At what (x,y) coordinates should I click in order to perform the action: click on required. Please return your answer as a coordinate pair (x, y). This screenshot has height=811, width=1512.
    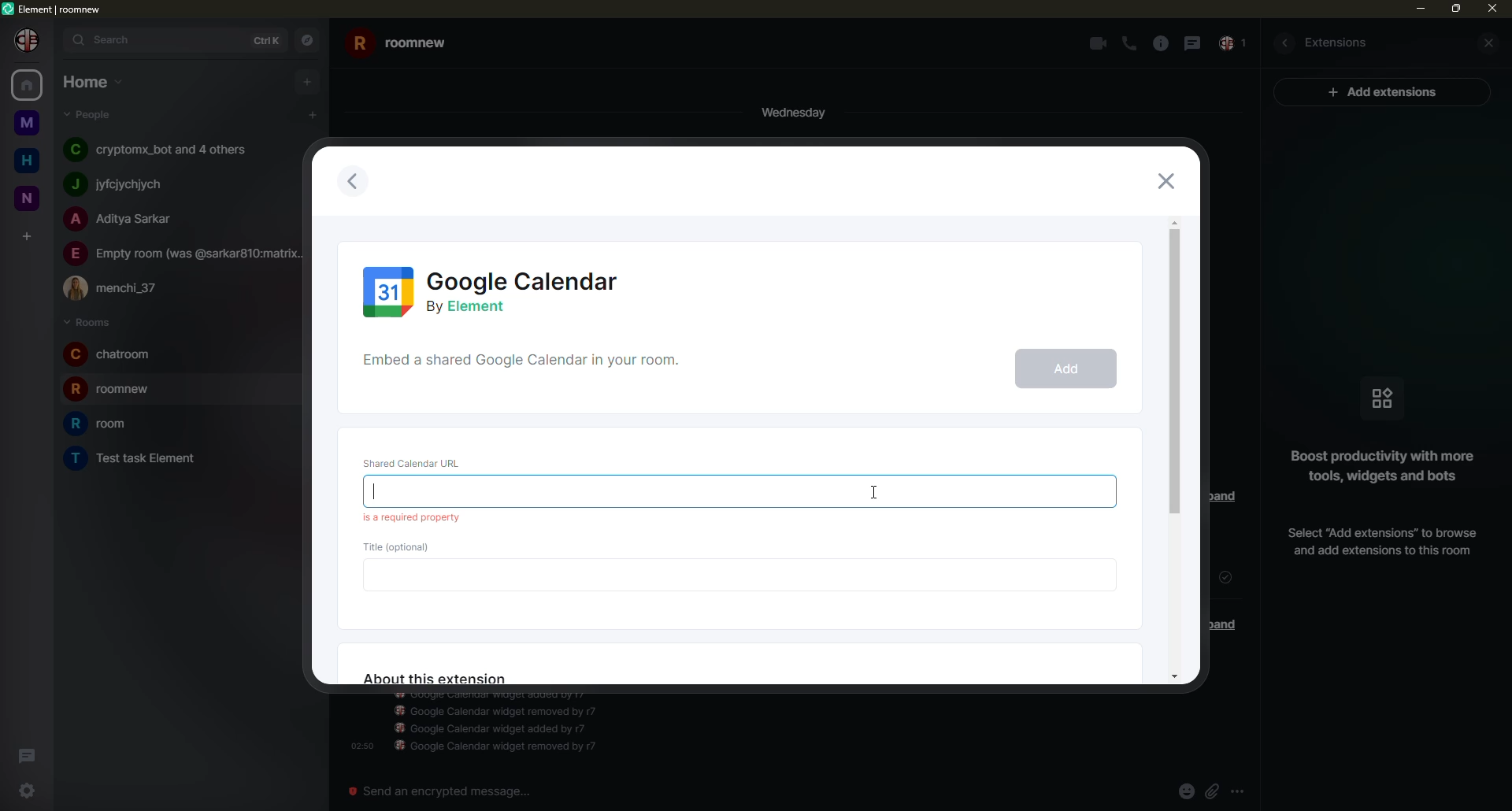
    Looking at the image, I should click on (413, 517).